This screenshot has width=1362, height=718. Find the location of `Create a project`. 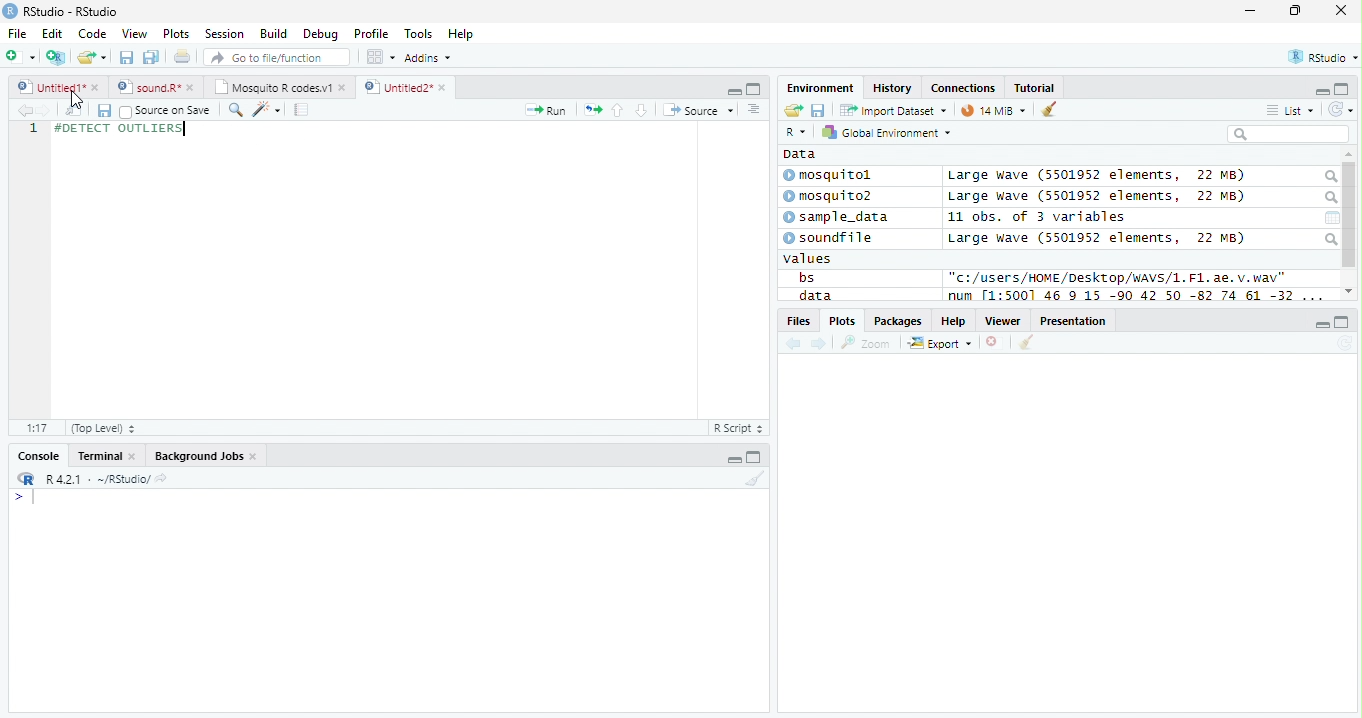

Create a project is located at coordinates (58, 57).